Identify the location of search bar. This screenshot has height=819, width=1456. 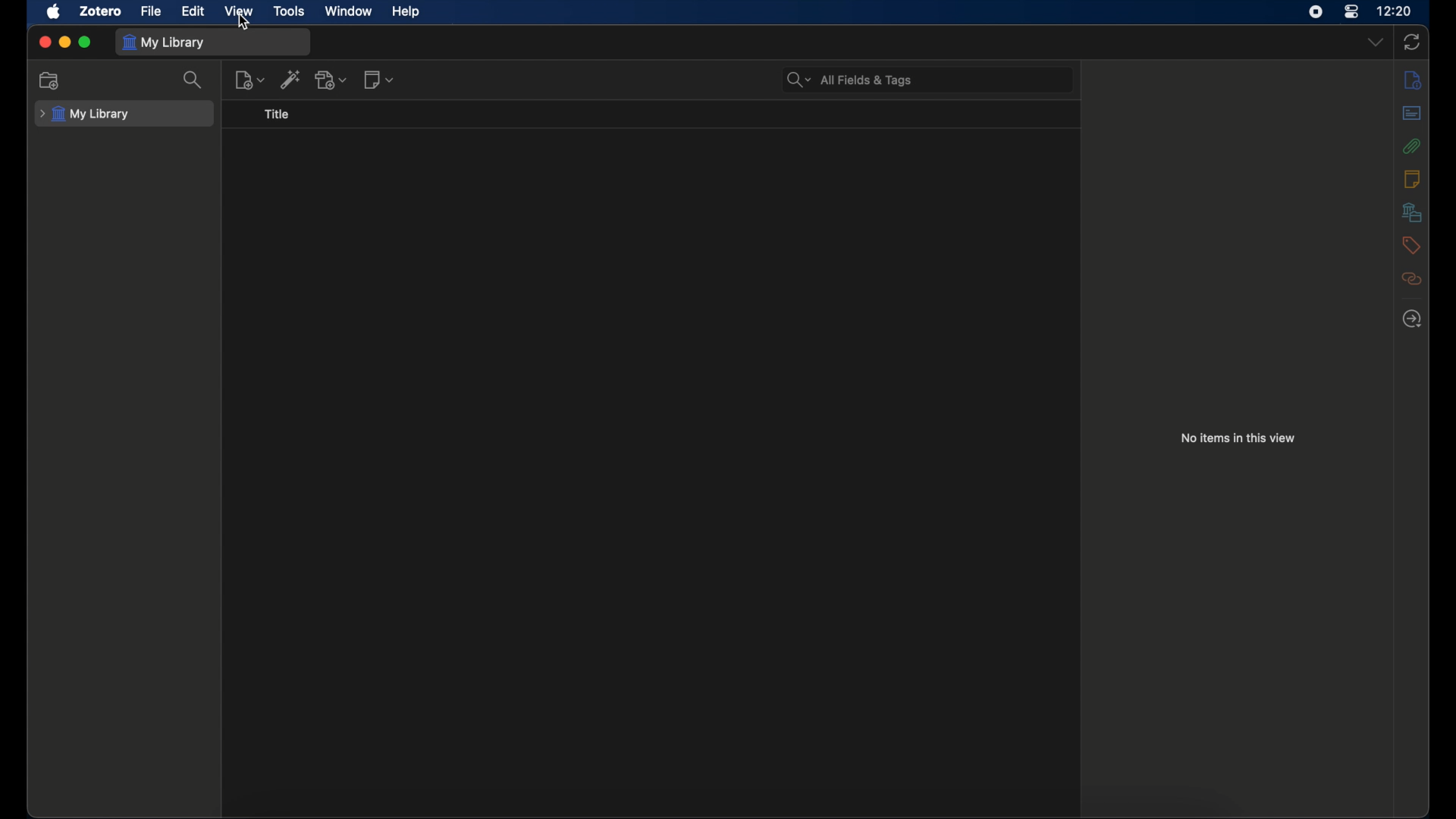
(848, 80).